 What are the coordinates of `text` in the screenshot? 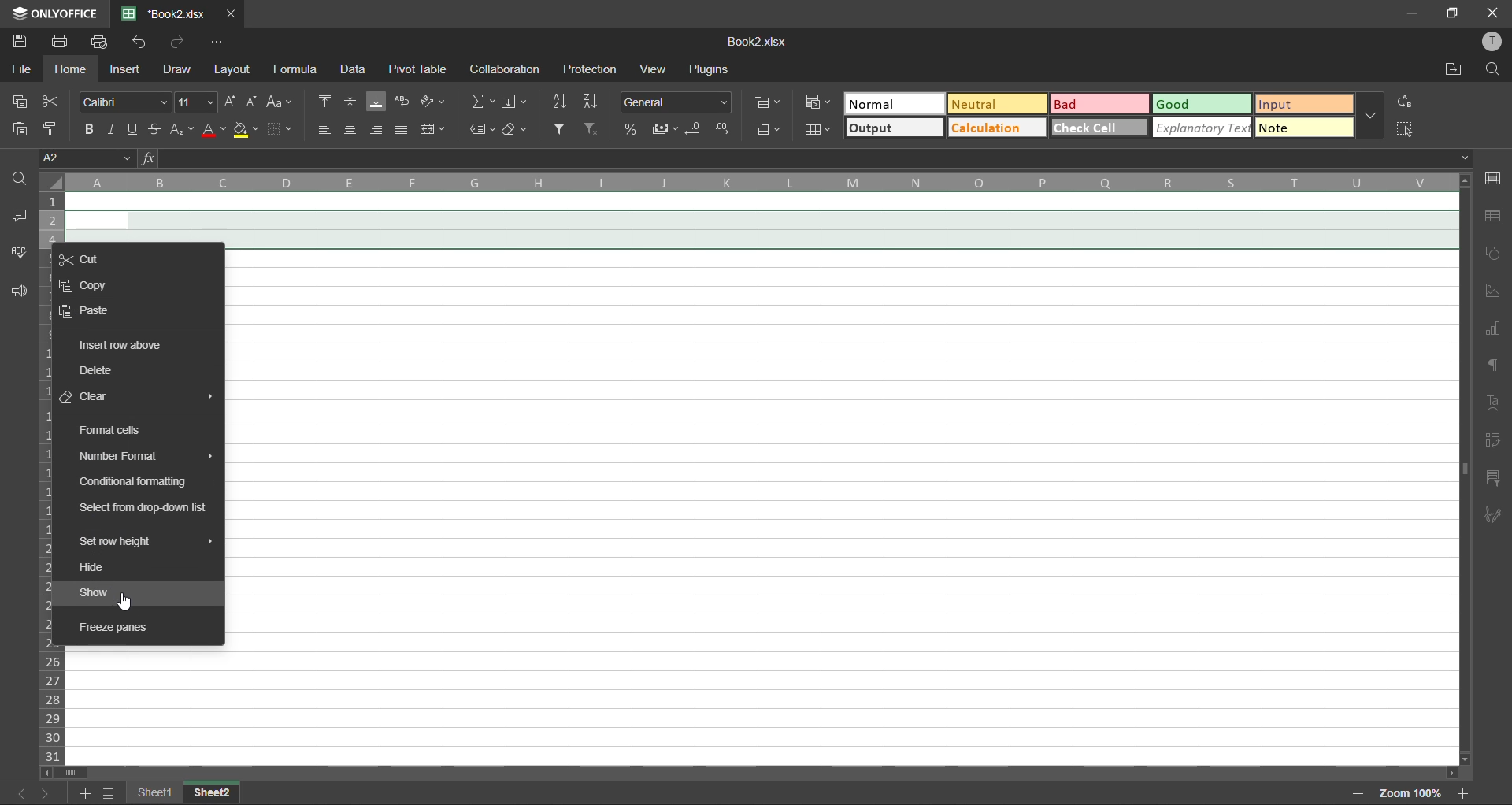 It's located at (1495, 402).